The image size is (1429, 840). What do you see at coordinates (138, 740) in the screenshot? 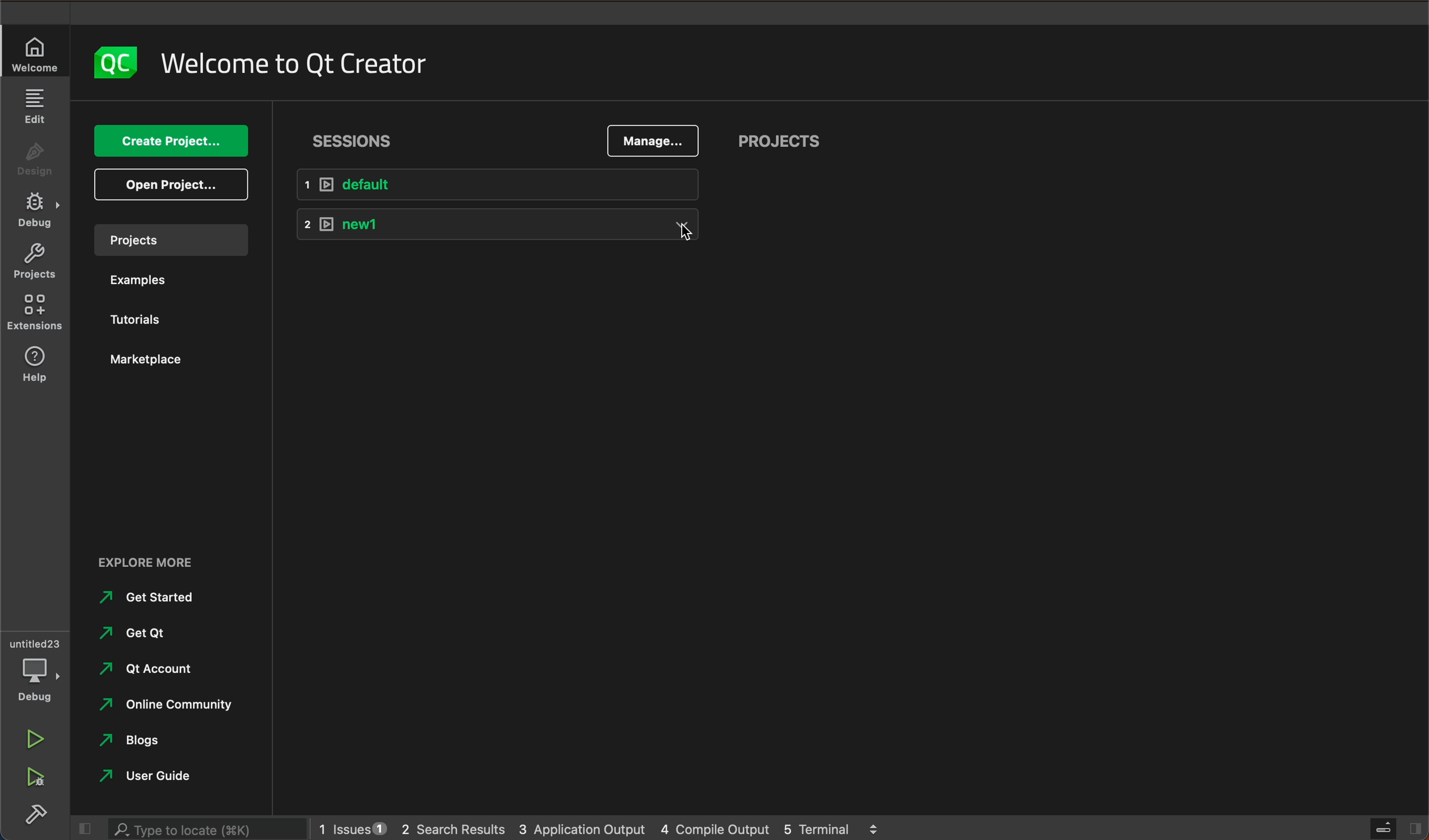
I see `blogs` at bounding box center [138, 740].